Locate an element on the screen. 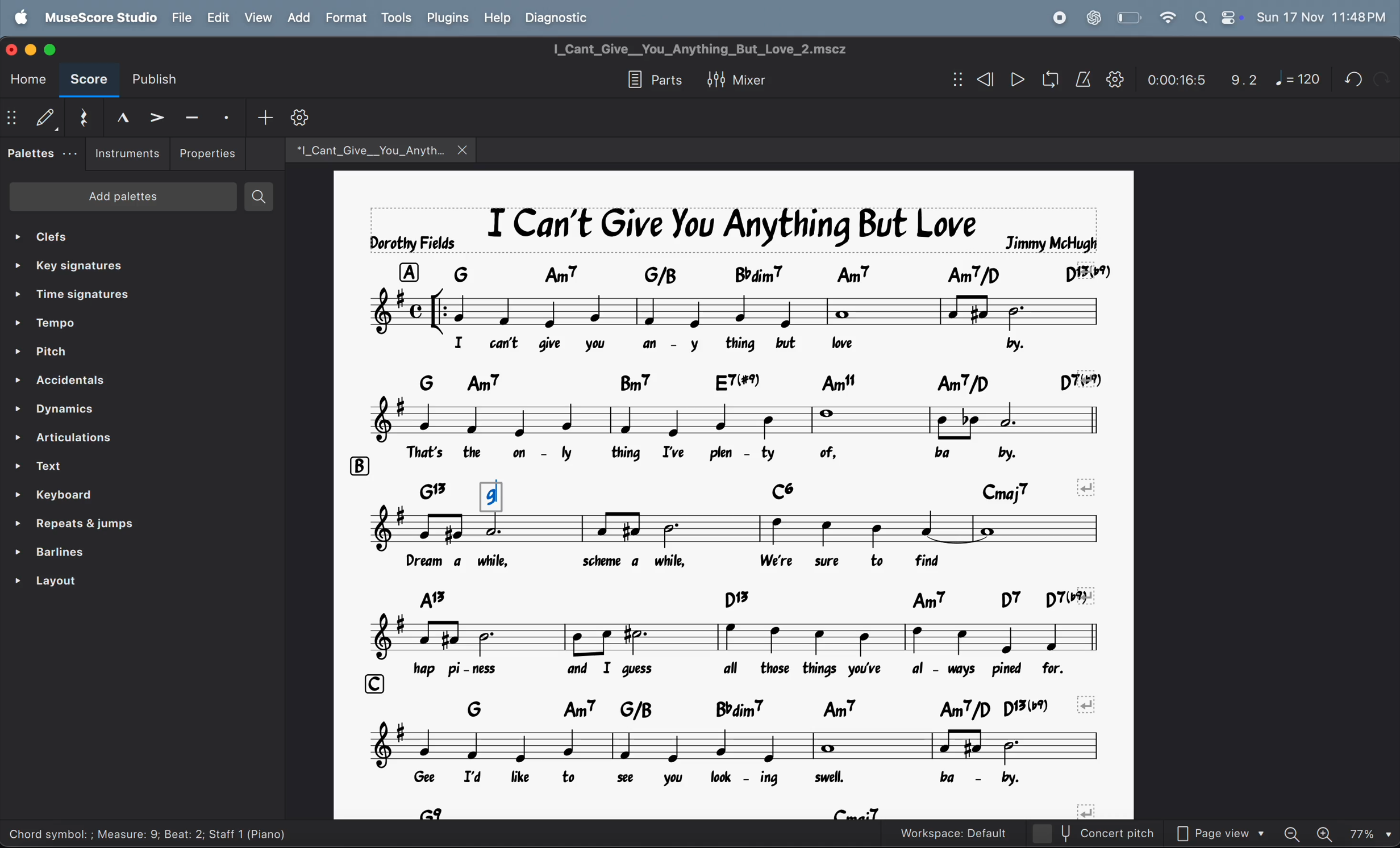 This screenshot has width=1400, height=848. battery is located at coordinates (1130, 17).